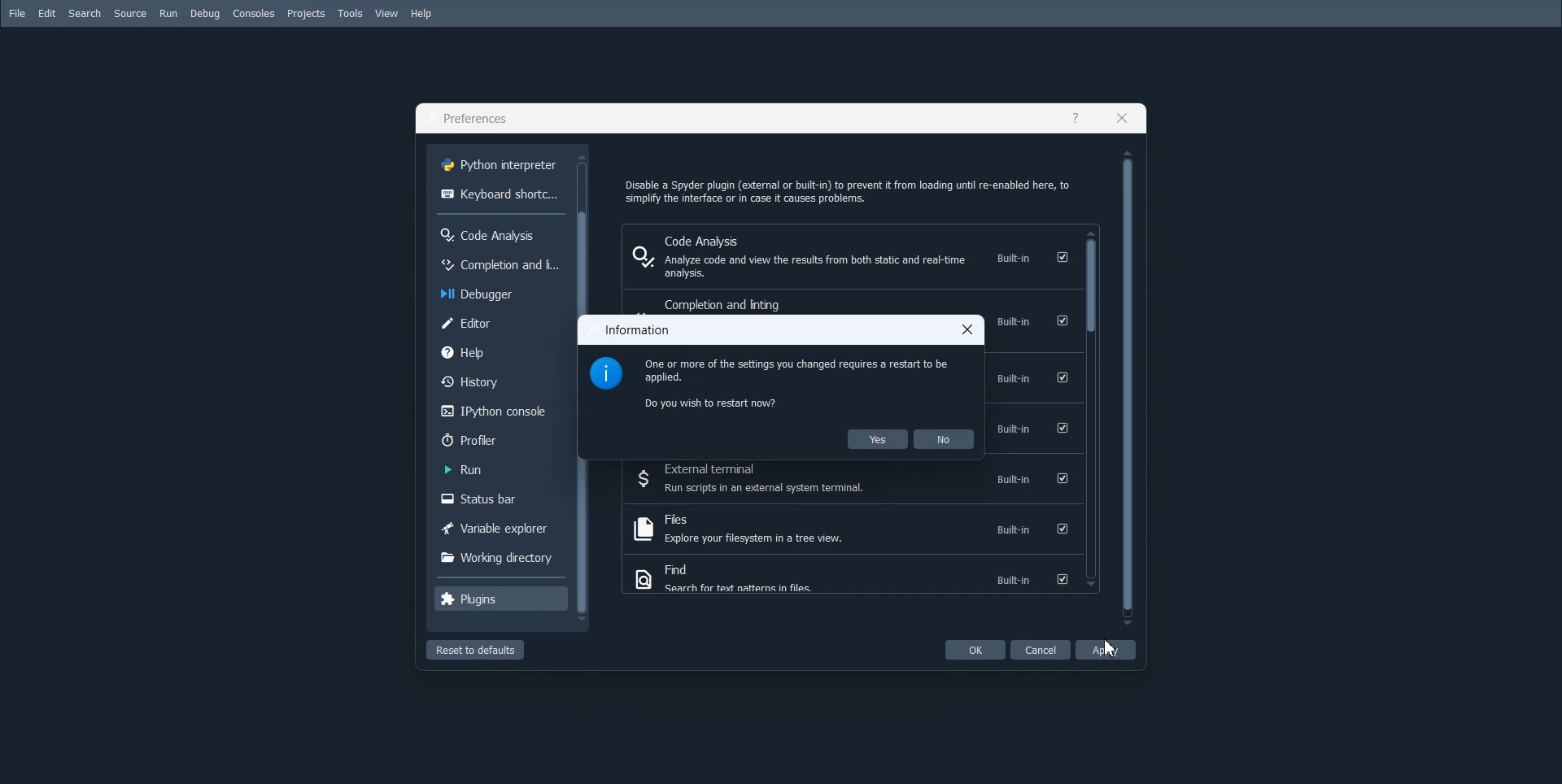  I want to click on Code Analysis, so click(851, 255).